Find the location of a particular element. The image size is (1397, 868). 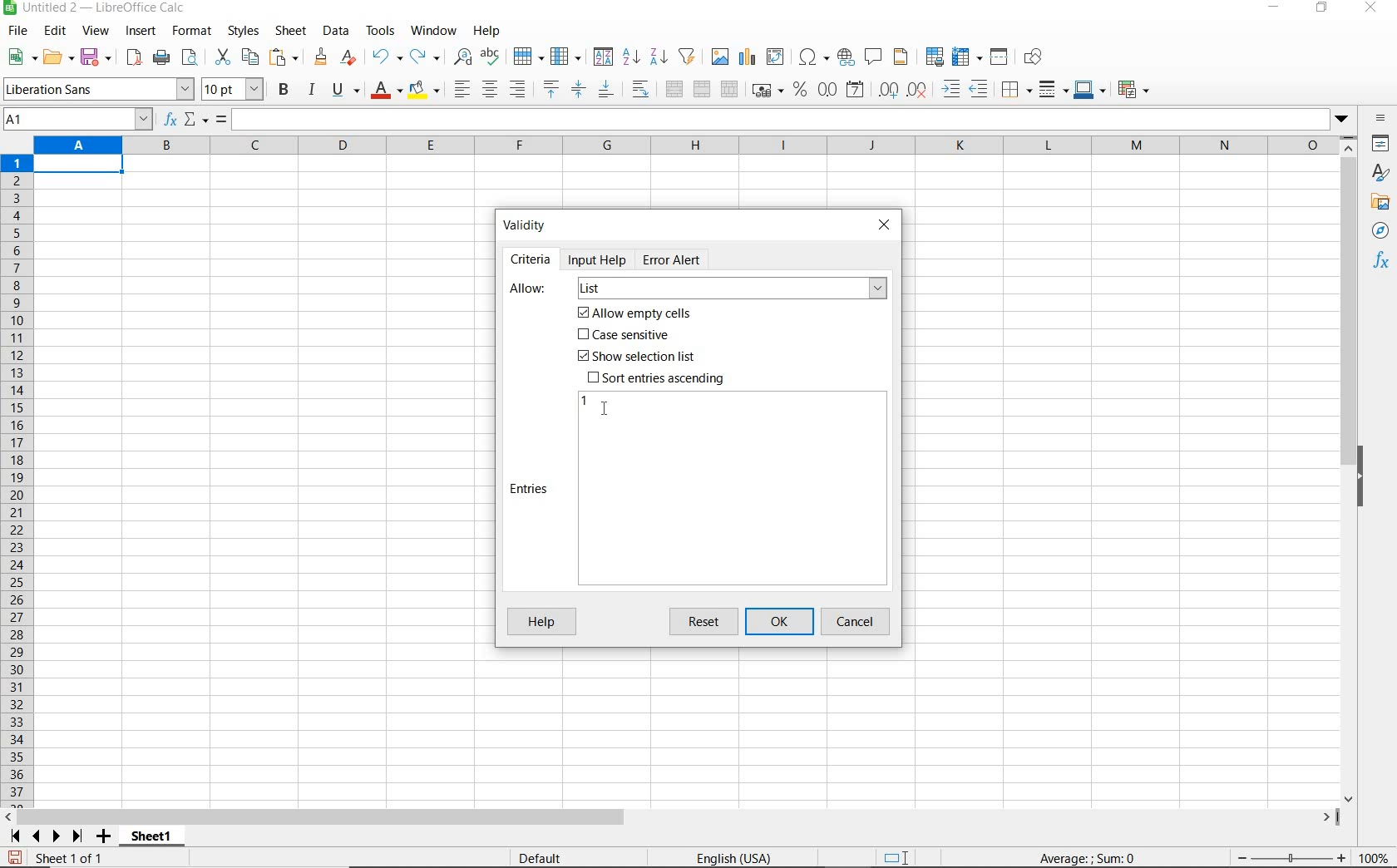

border style is located at coordinates (1054, 89).